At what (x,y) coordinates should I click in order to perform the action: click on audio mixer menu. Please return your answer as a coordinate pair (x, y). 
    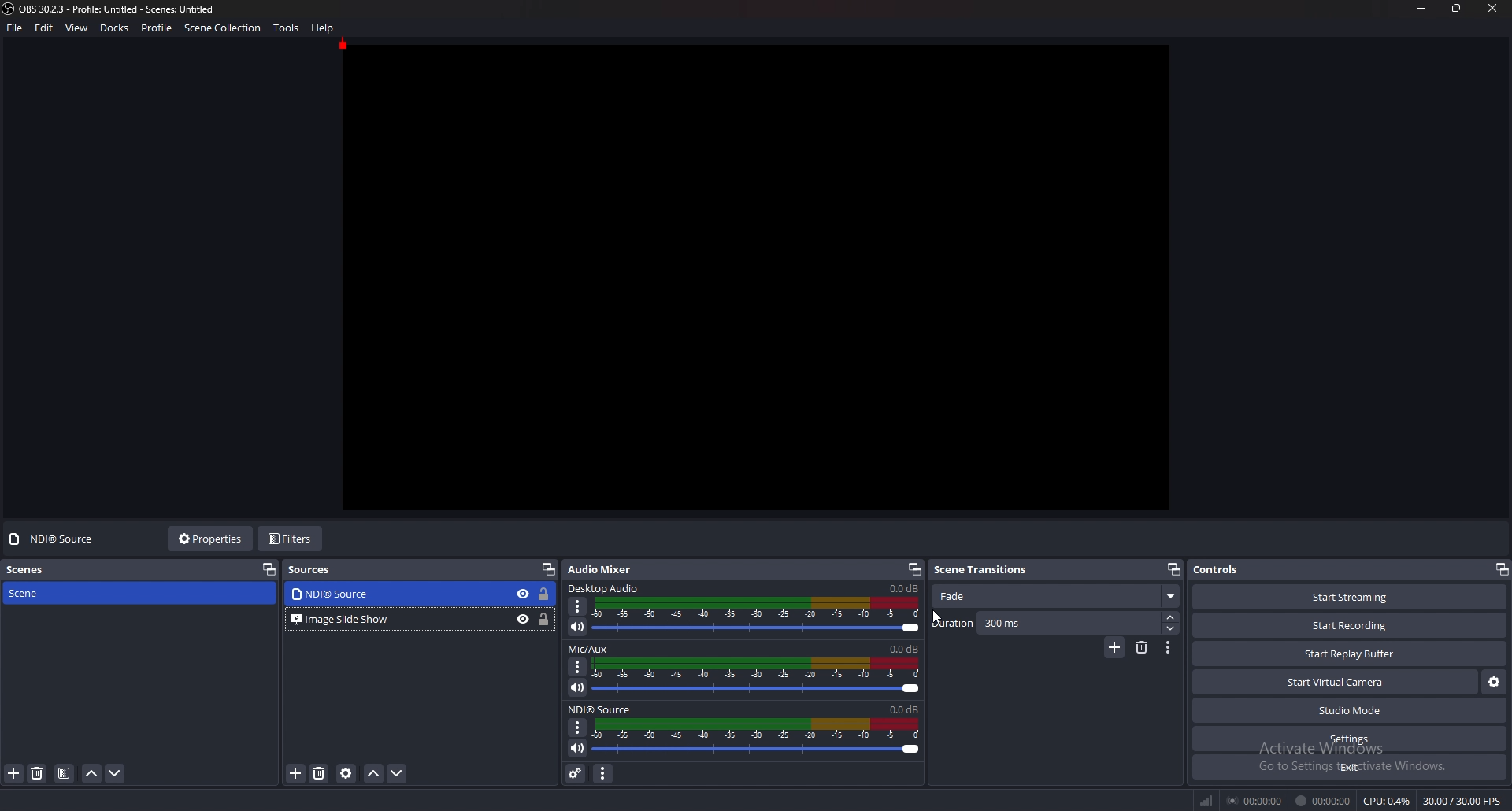
    Looking at the image, I should click on (602, 774).